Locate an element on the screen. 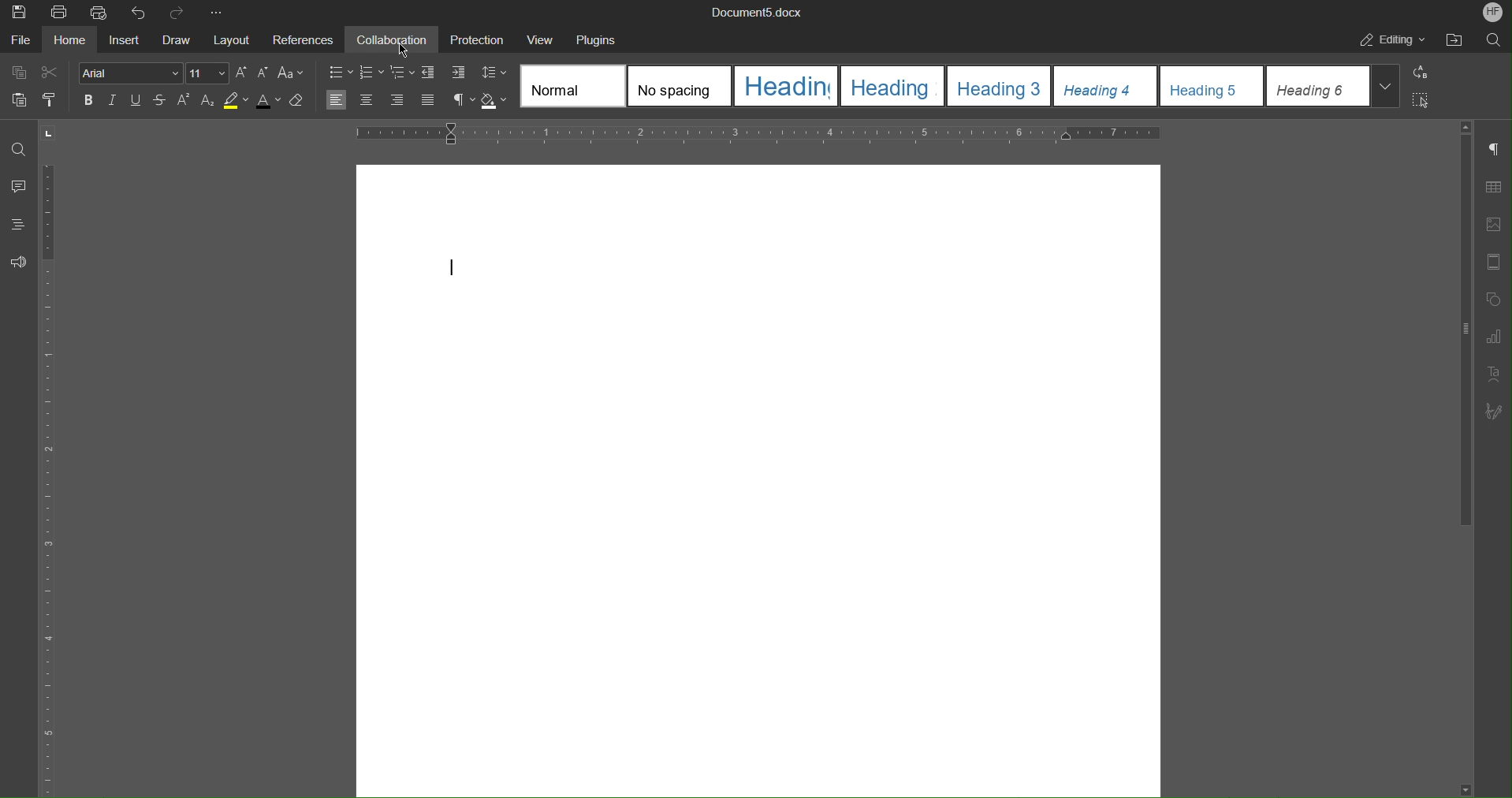 The image size is (1512, 798). References is located at coordinates (308, 39).